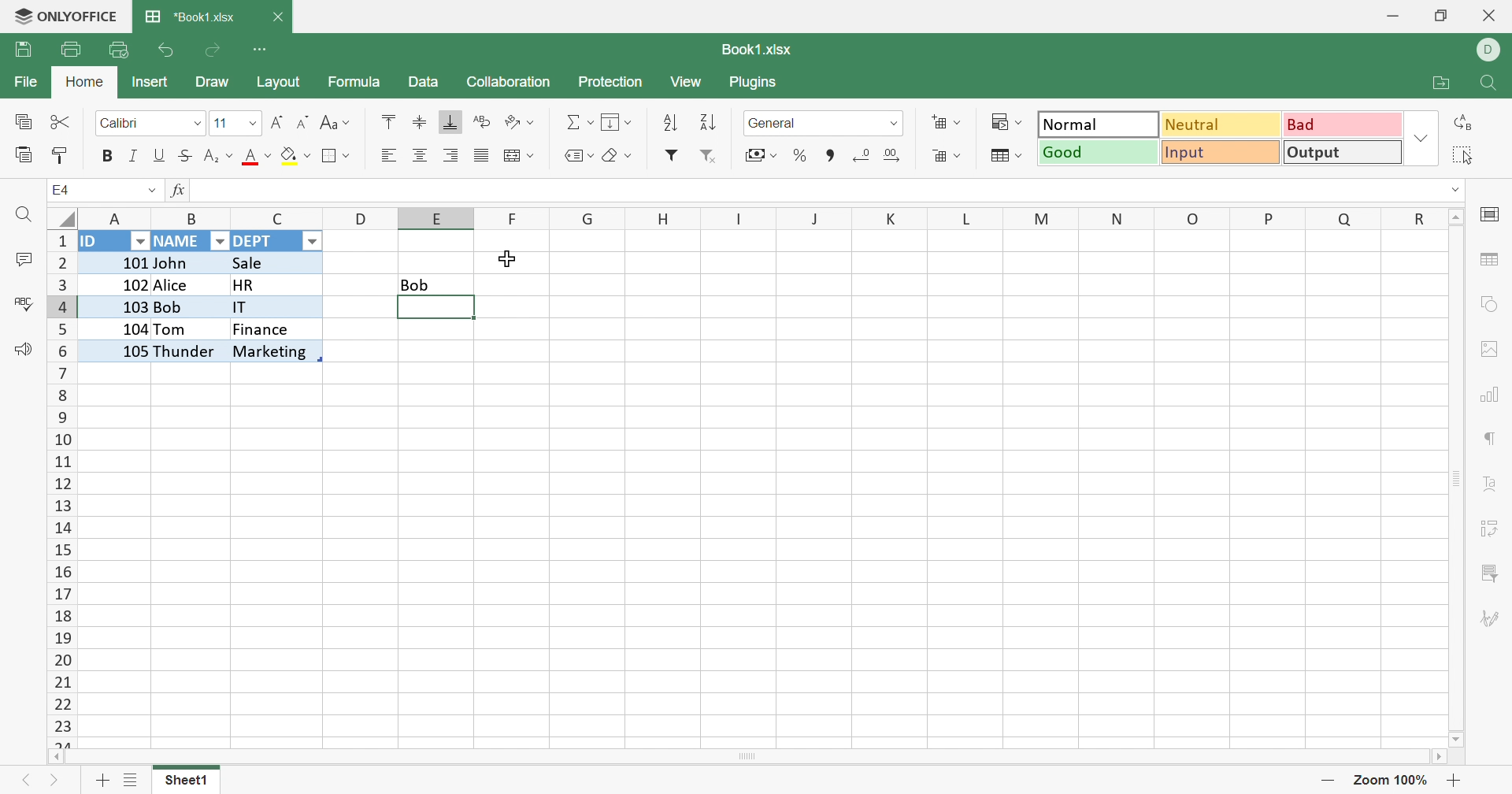  Describe the element at coordinates (1340, 153) in the screenshot. I see `Output` at that location.